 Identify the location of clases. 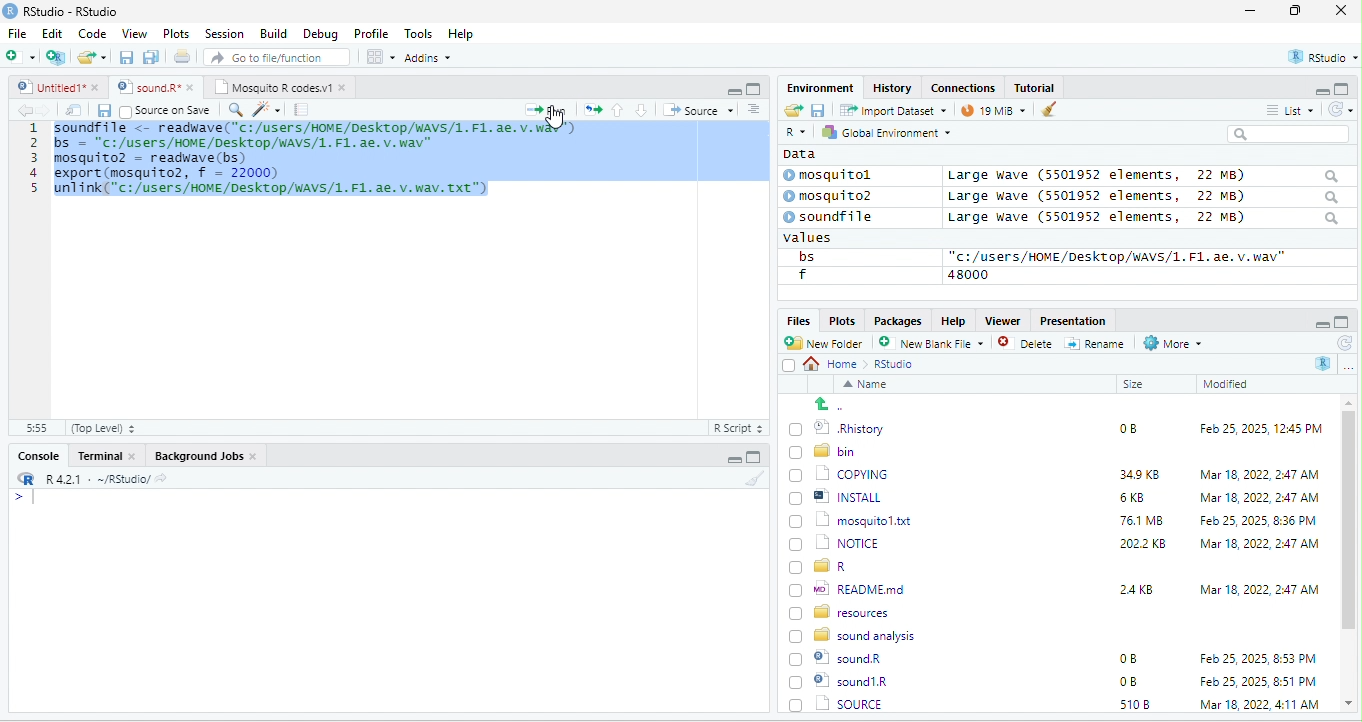
(965, 86).